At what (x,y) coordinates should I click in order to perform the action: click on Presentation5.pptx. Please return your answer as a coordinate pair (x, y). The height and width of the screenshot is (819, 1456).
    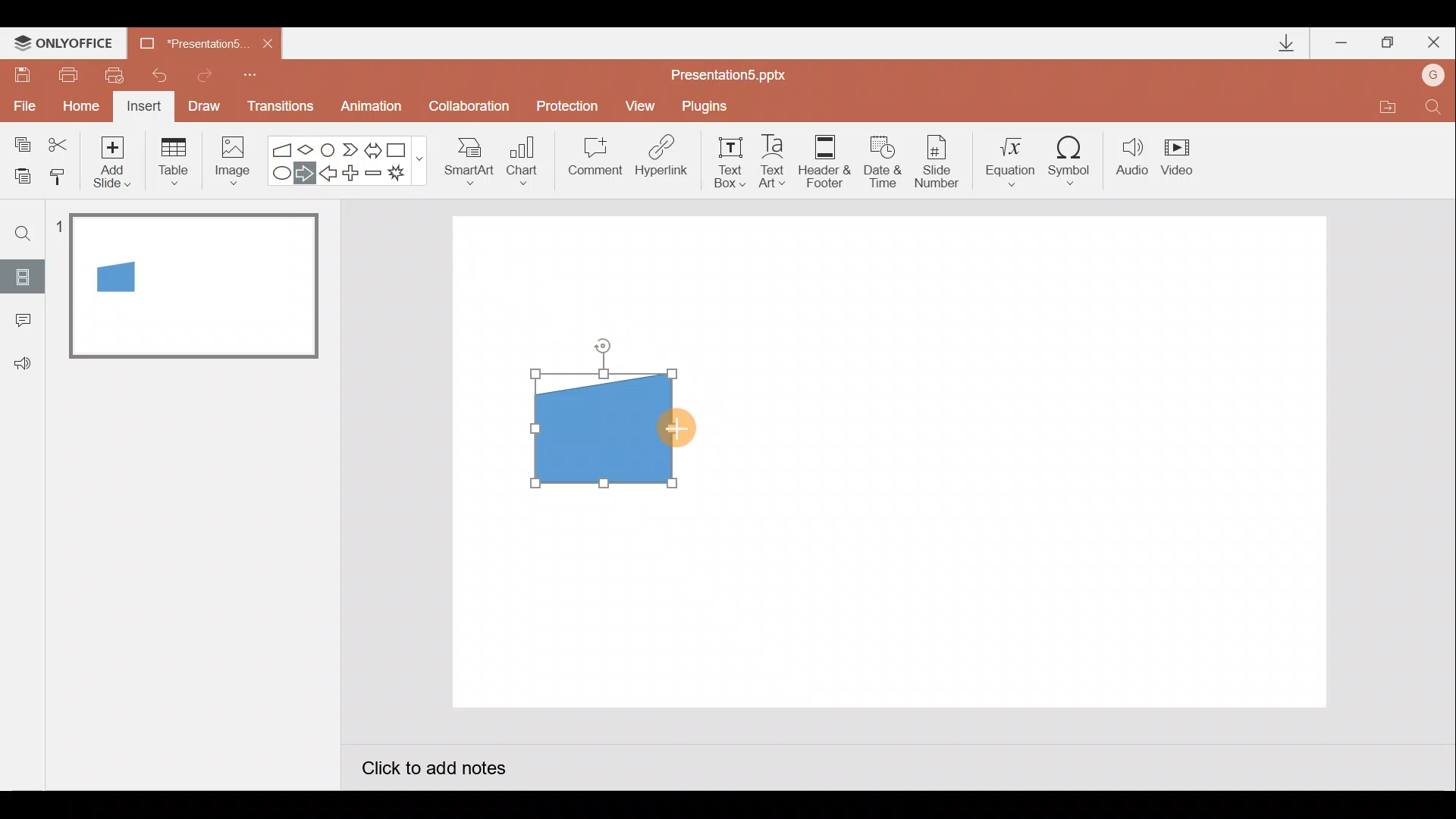
    Looking at the image, I should click on (739, 71).